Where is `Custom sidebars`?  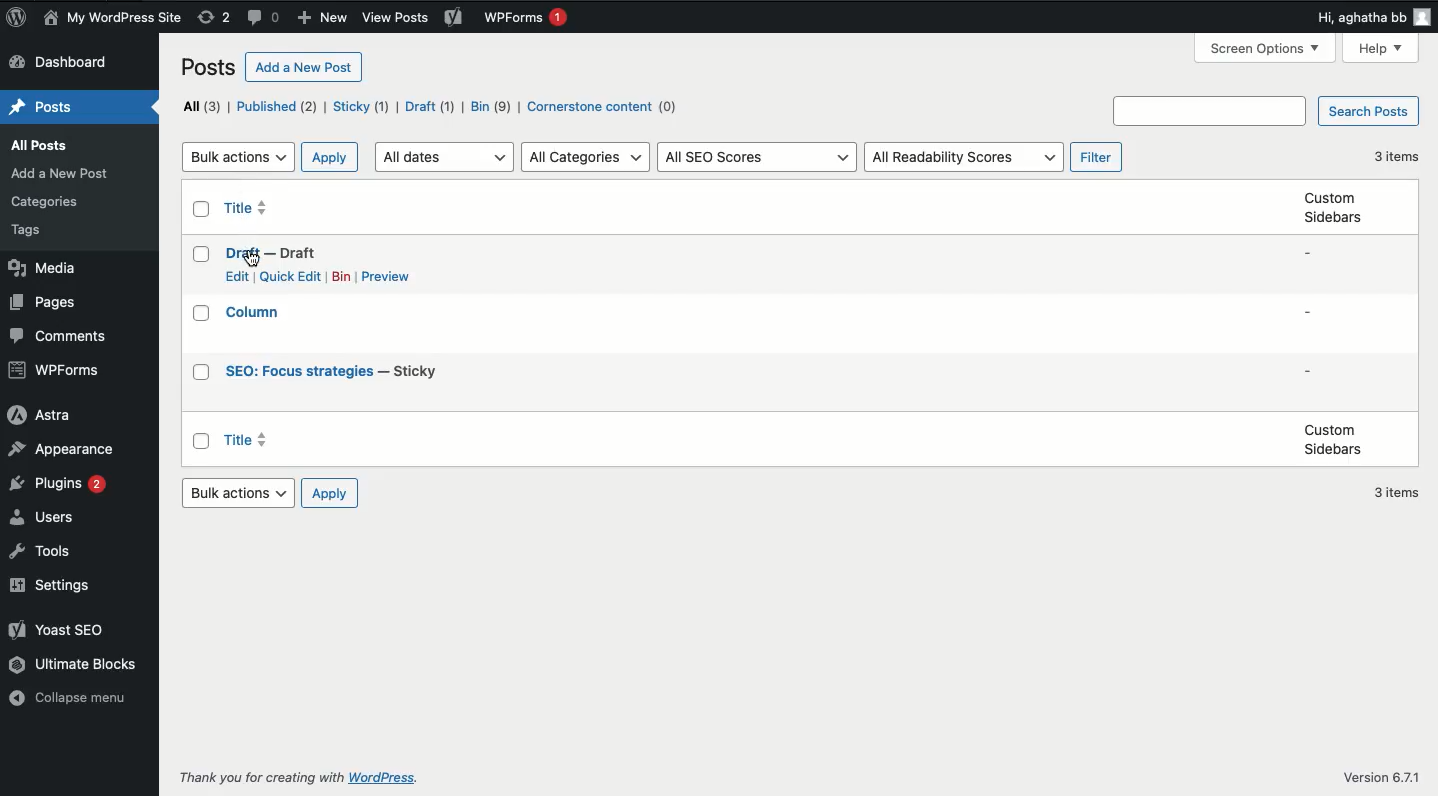
Custom sidebars is located at coordinates (1328, 207).